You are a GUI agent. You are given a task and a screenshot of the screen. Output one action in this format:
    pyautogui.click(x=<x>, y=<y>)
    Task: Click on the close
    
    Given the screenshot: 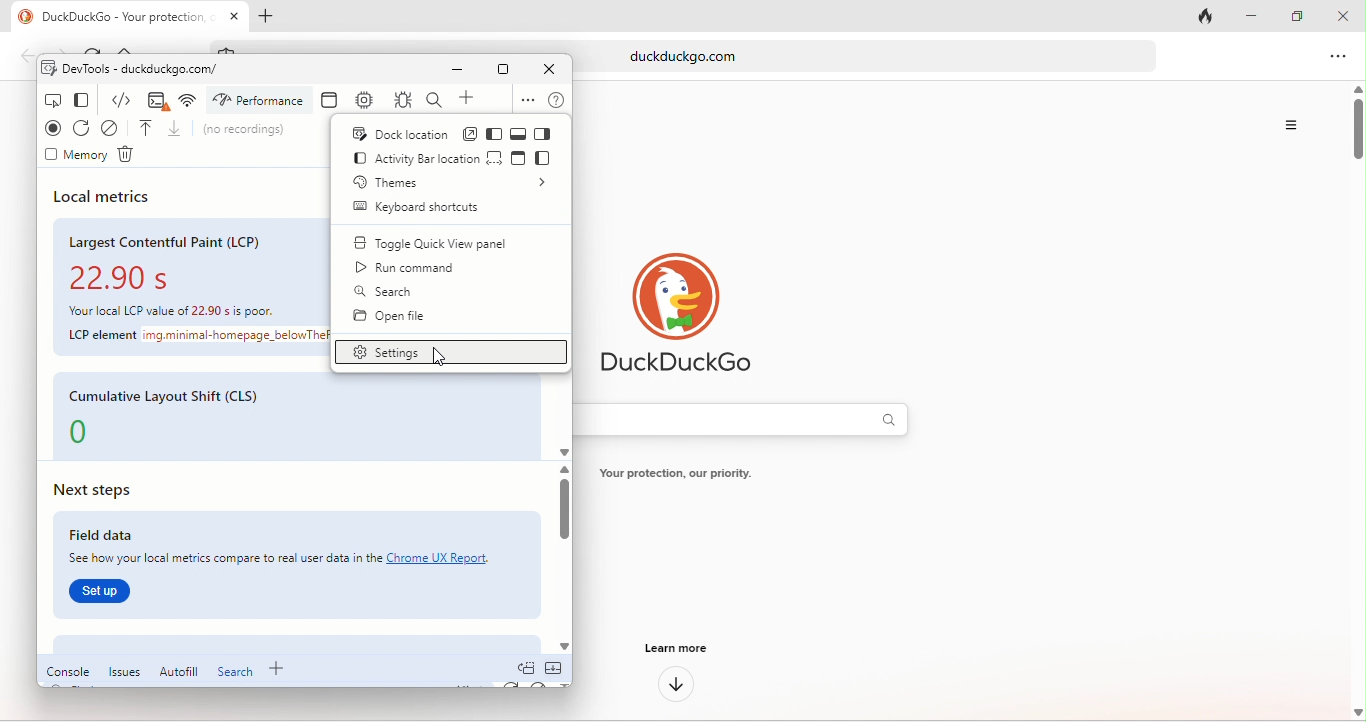 What is the action you would take?
    pyautogui.click(x=1343, y=15)
    